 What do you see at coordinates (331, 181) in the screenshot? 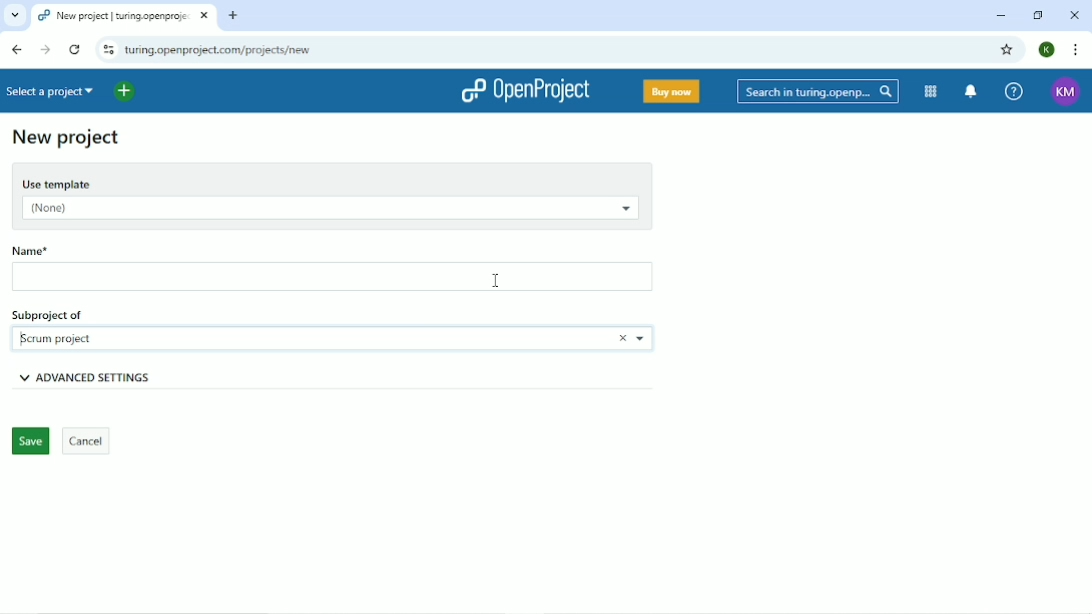
I see `Use template` at bounding box center [331, 181].